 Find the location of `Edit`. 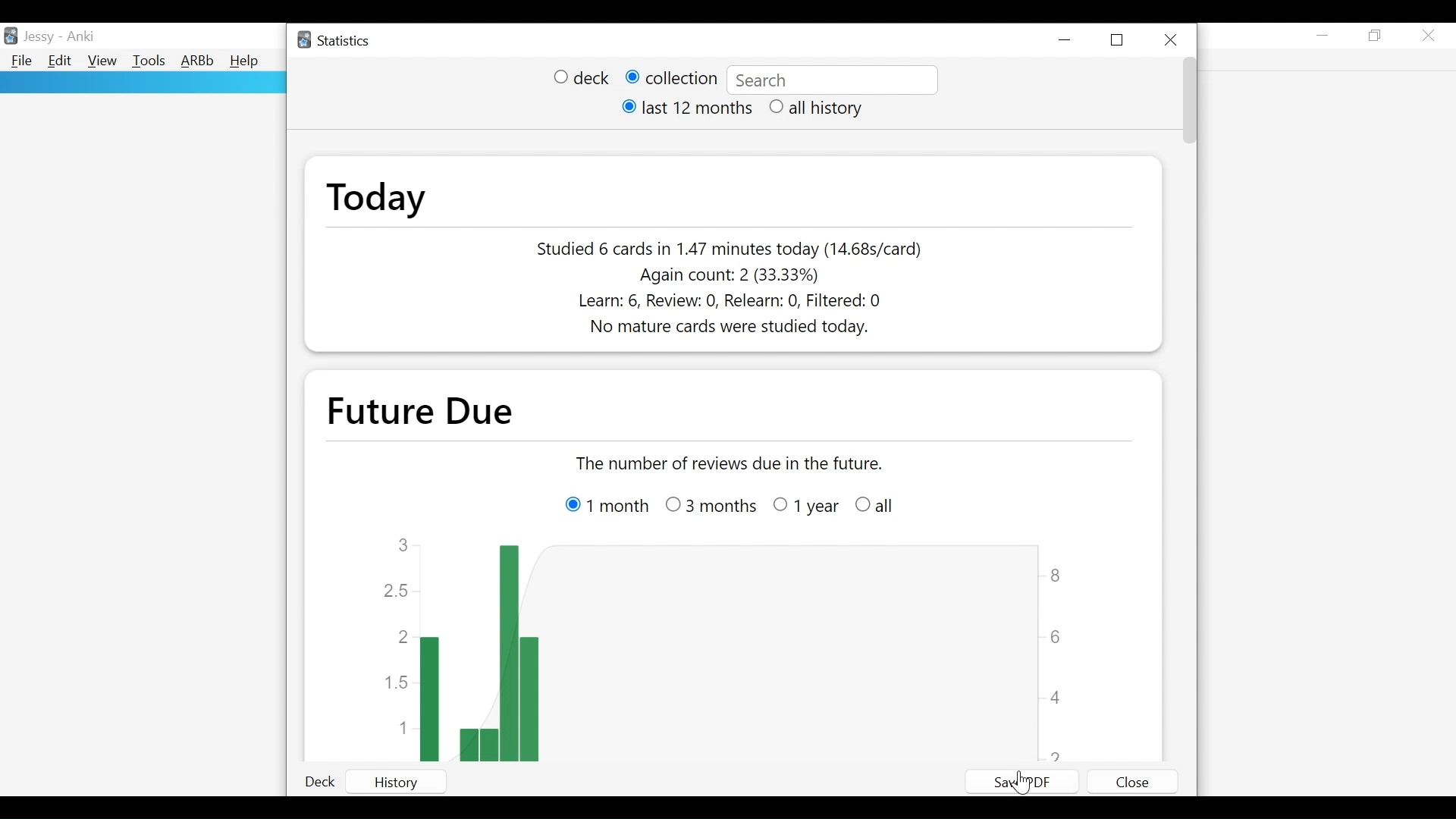

Edit is located at coordinates (61, 62).